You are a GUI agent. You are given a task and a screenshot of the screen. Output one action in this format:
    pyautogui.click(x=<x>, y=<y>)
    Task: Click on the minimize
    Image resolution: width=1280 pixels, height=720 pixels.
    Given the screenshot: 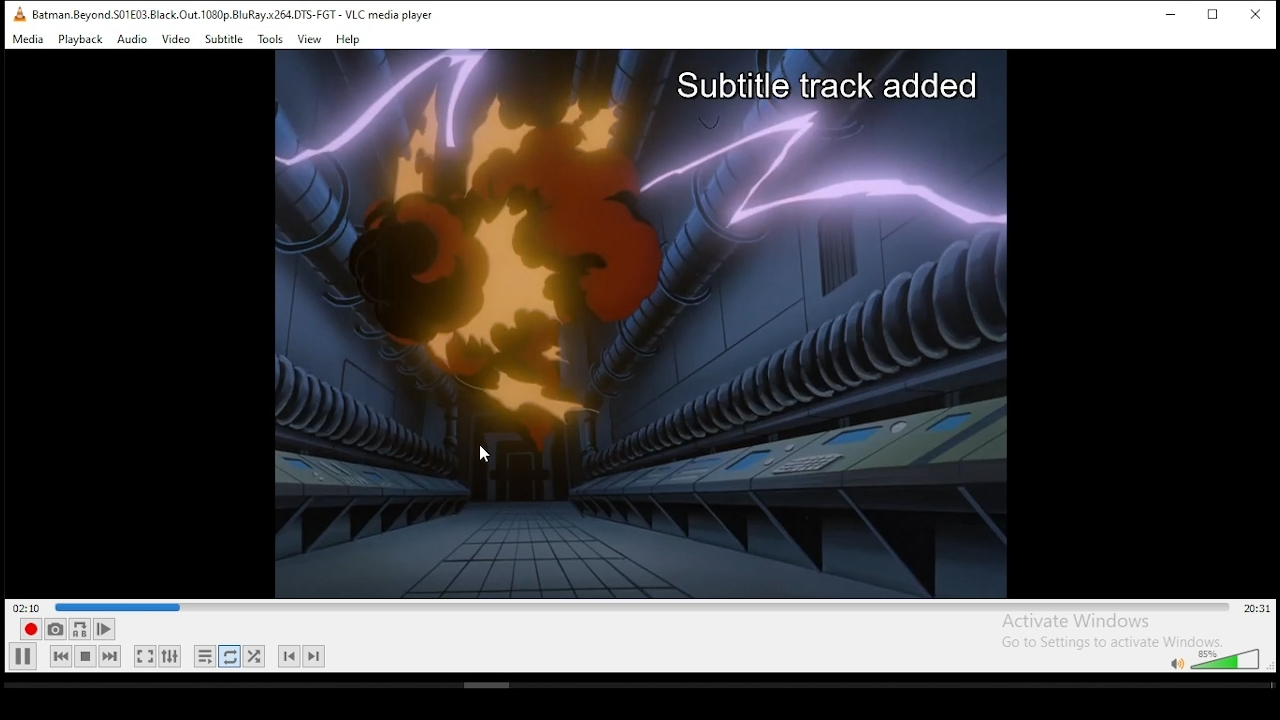 What is the action you would take?
    pyautogui.click(x=1168, y=16)
    